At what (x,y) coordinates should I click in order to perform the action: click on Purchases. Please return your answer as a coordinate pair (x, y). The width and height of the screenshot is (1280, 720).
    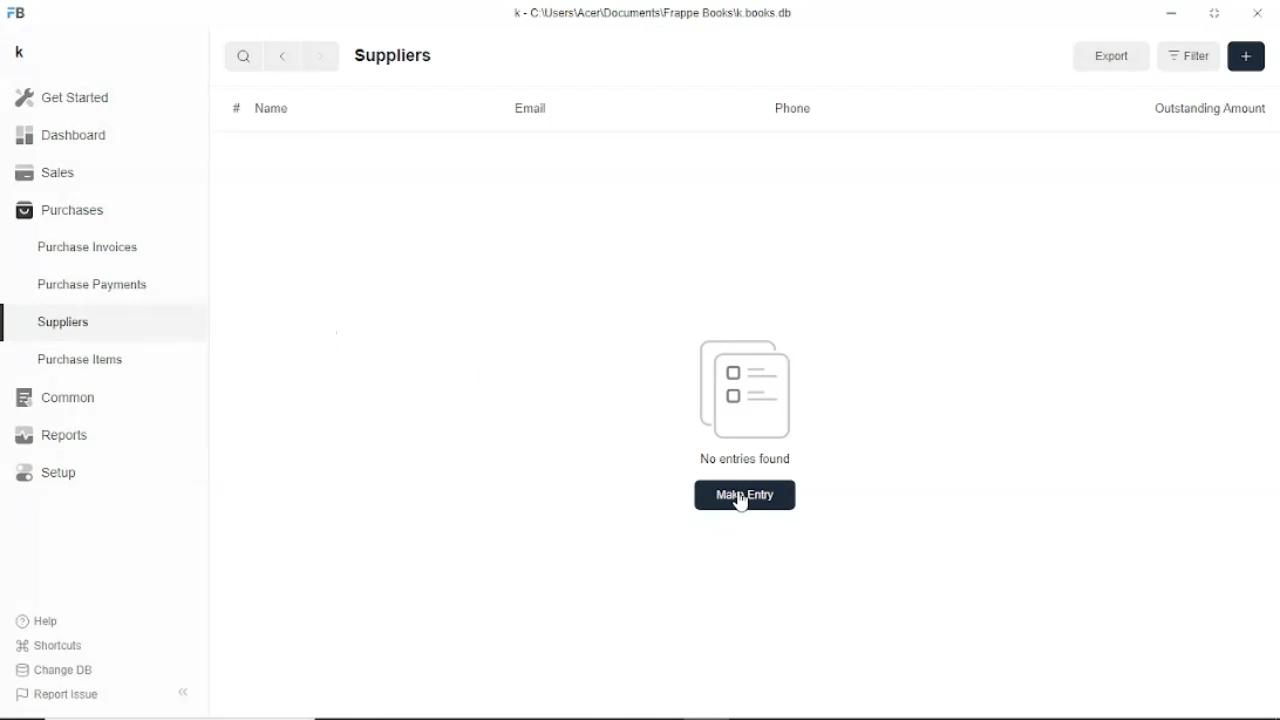
    Looking at the image, I should click on (58, 211).